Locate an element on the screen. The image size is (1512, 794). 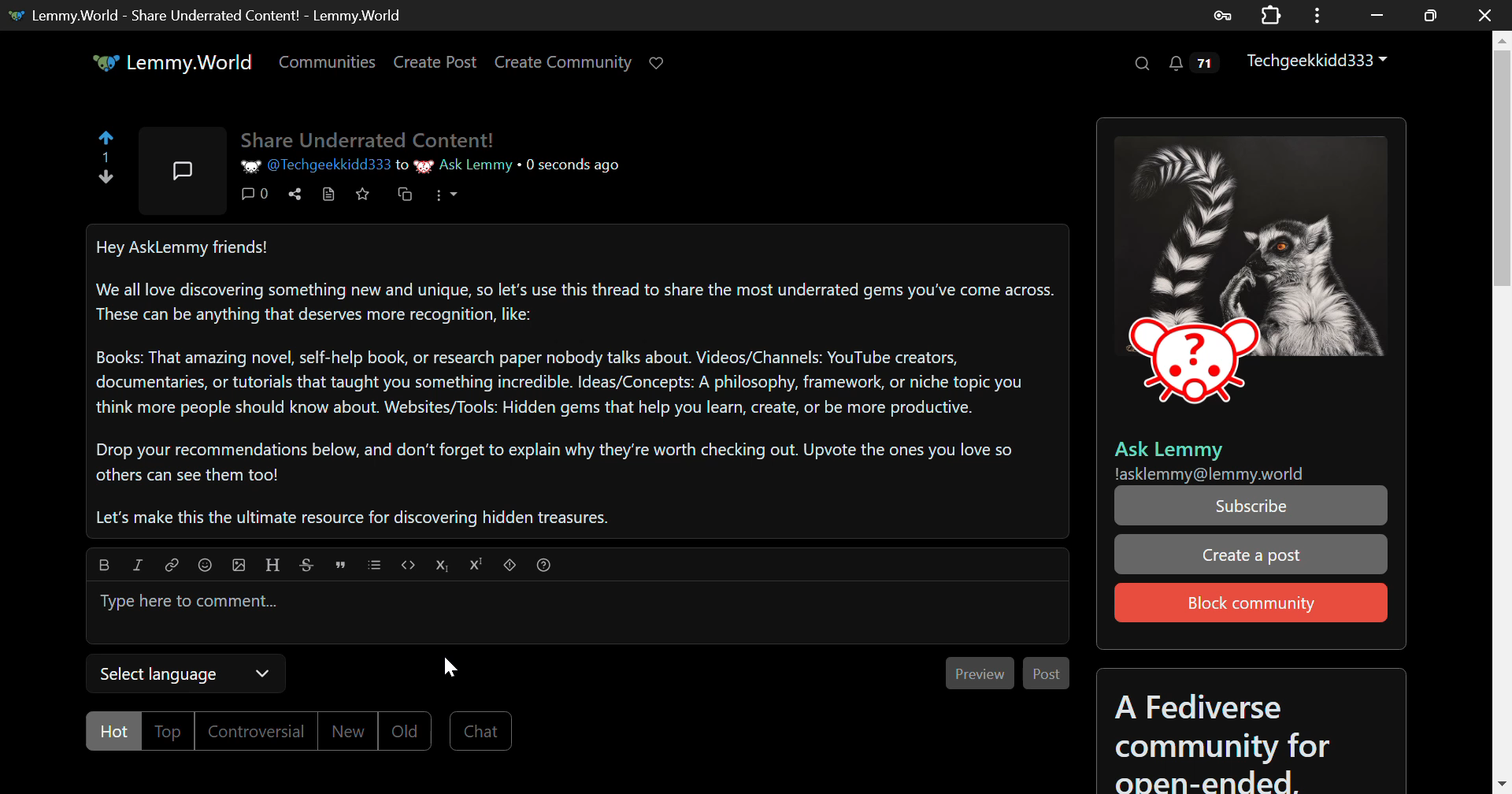
Notifications is located at coordinates (1194, 67).